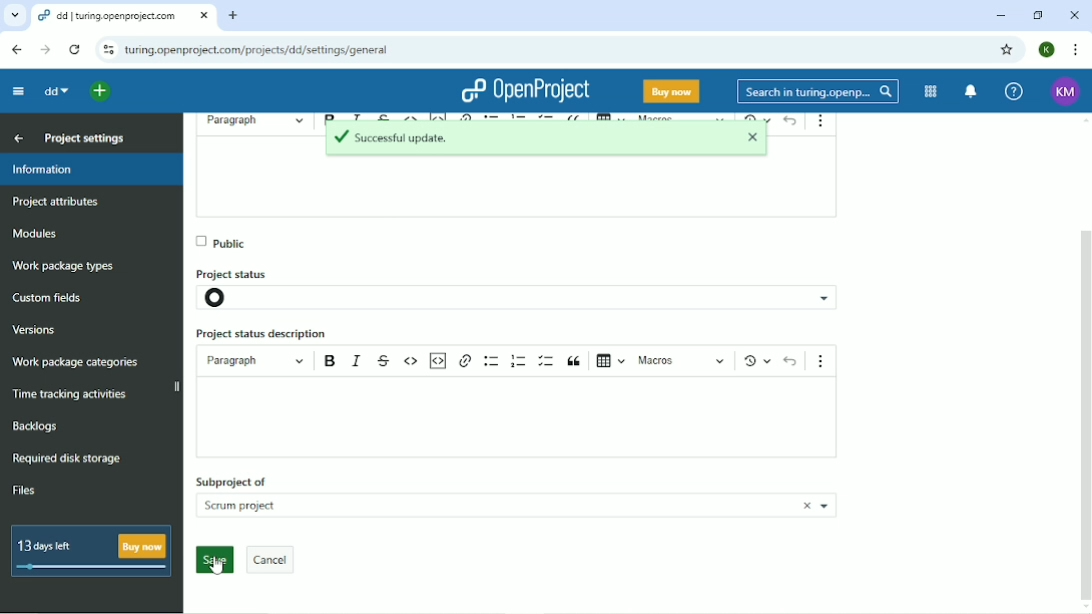 The width and height of the screenshot is (1092, 614). Describe the element at coordinates (386, 359) in the screenshot. I see `strikethrough` at that location.